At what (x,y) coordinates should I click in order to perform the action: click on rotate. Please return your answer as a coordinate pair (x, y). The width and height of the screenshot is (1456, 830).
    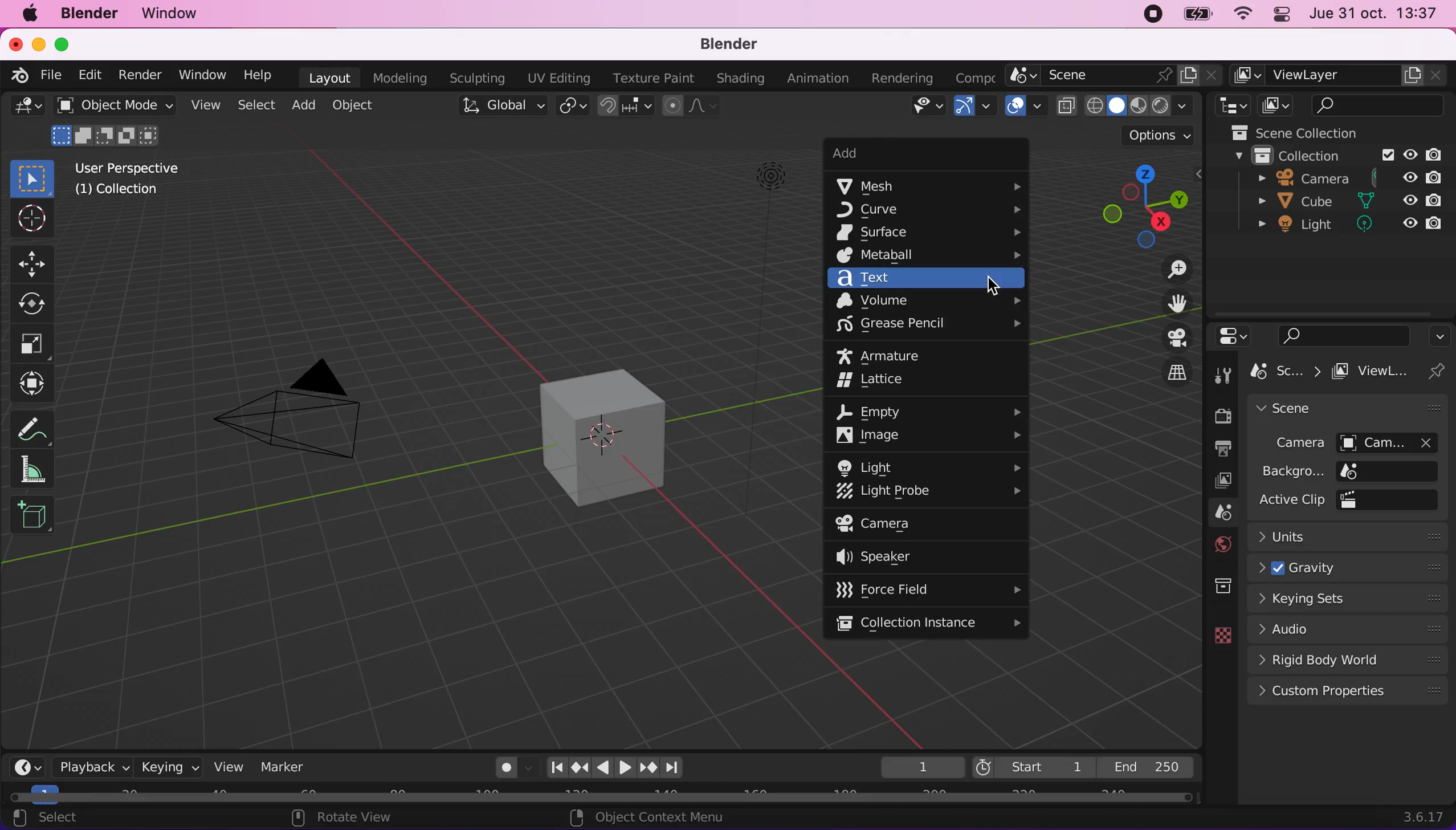
    Looking at the image, I should click on (34, 303).